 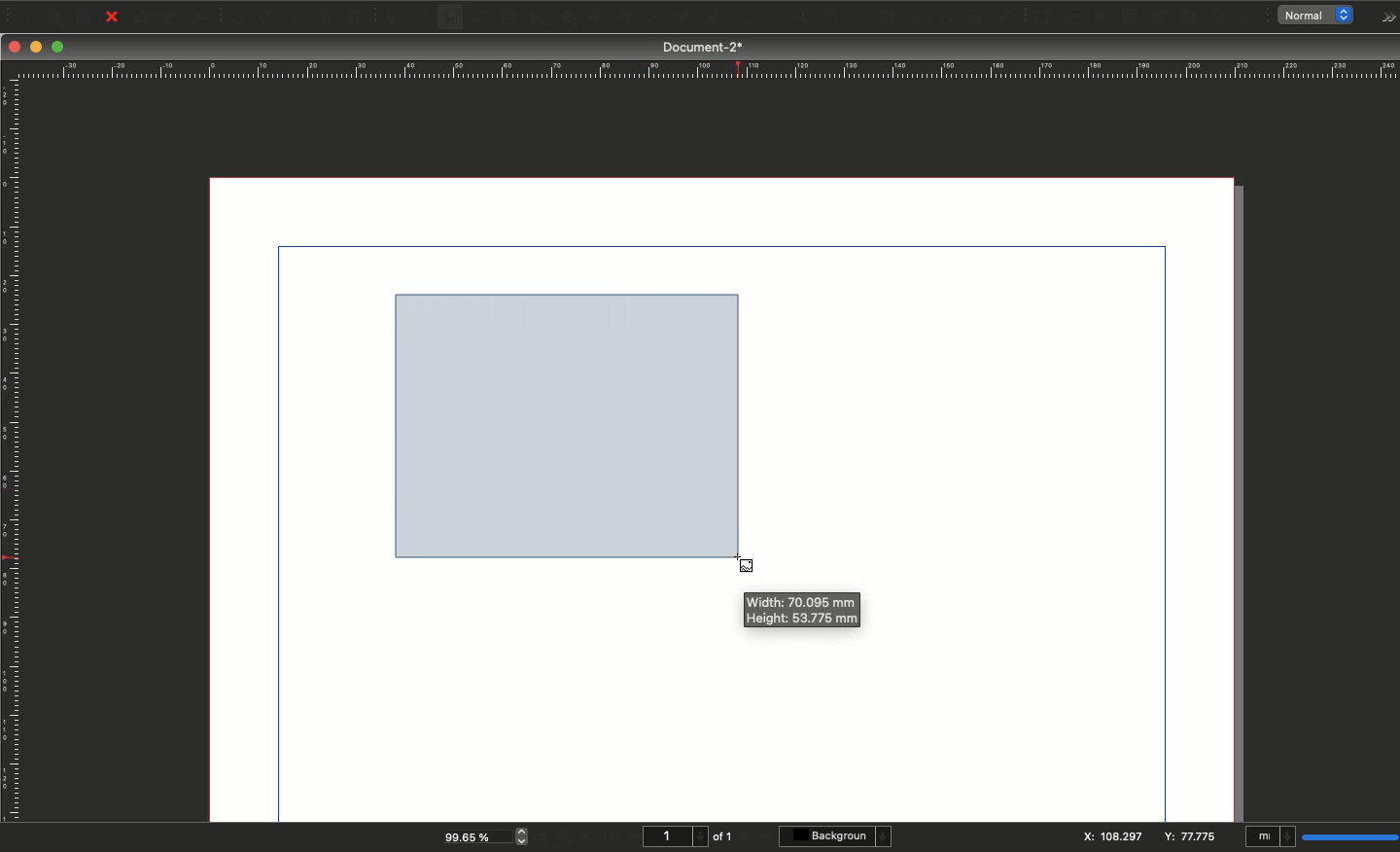 I want to click on Options, so click(x=1384, y=18).